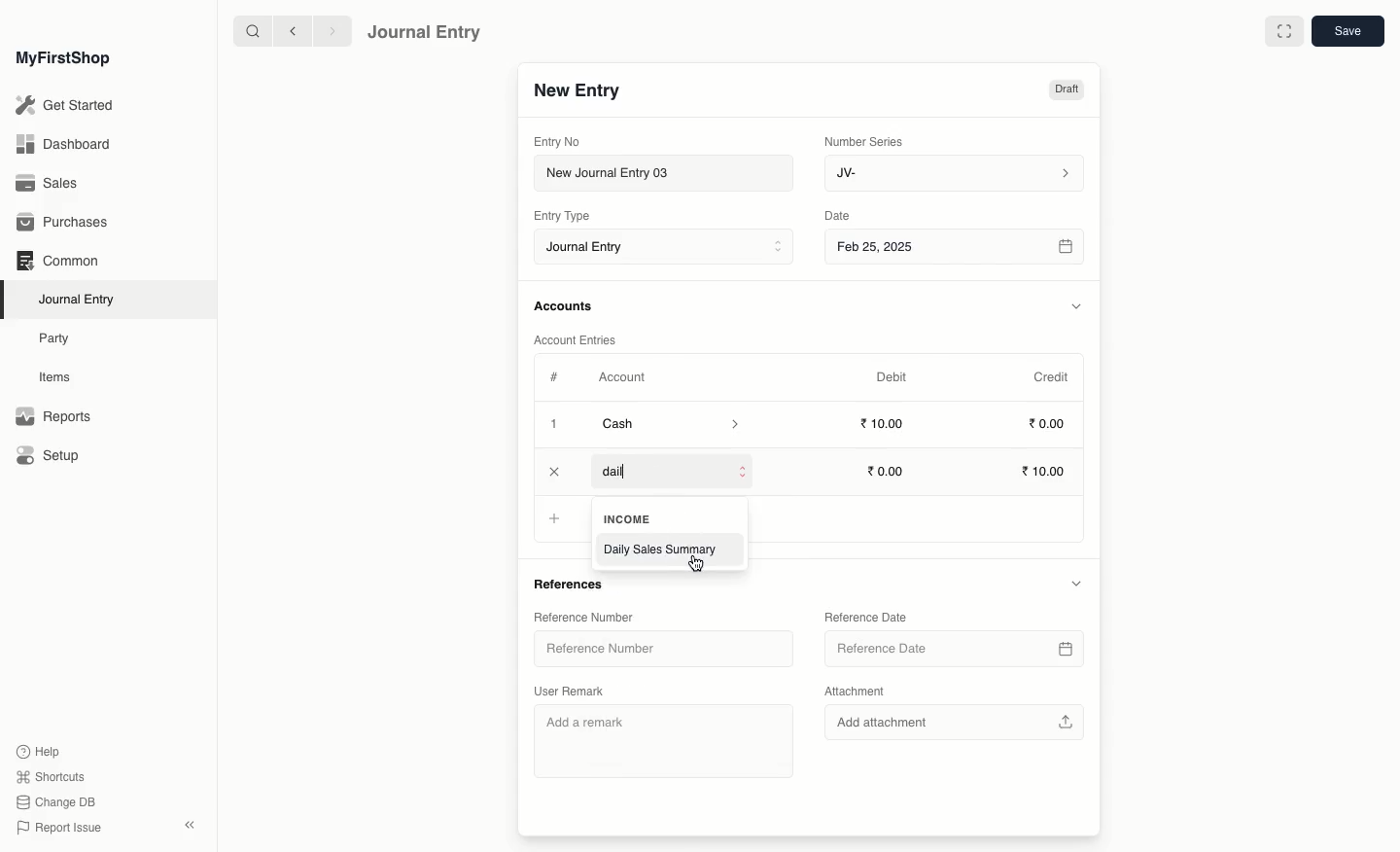  Describe the element at coordinates (556, 426) in the screenshot. I see `1` at that location.